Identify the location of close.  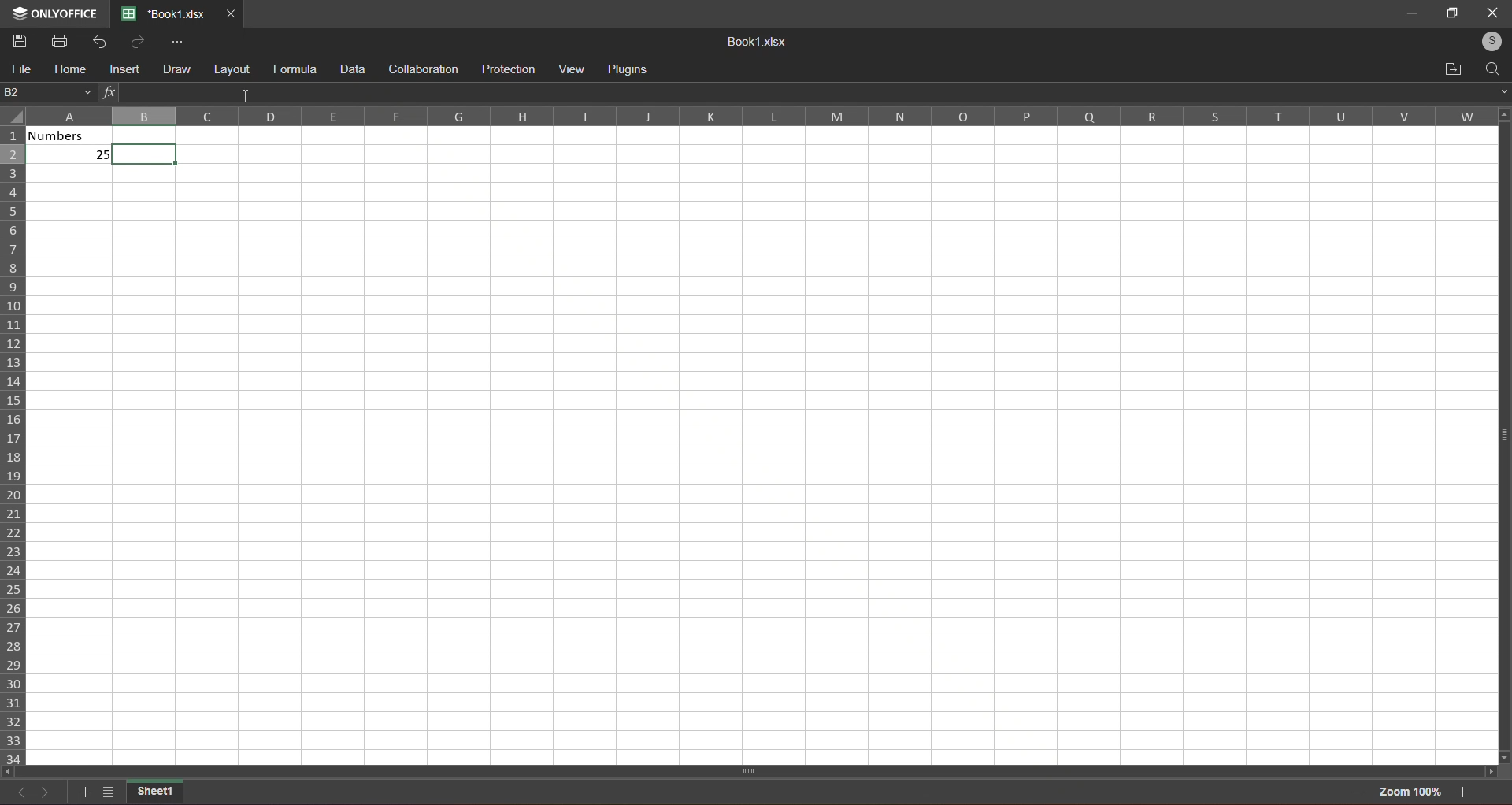
(1491, 13).